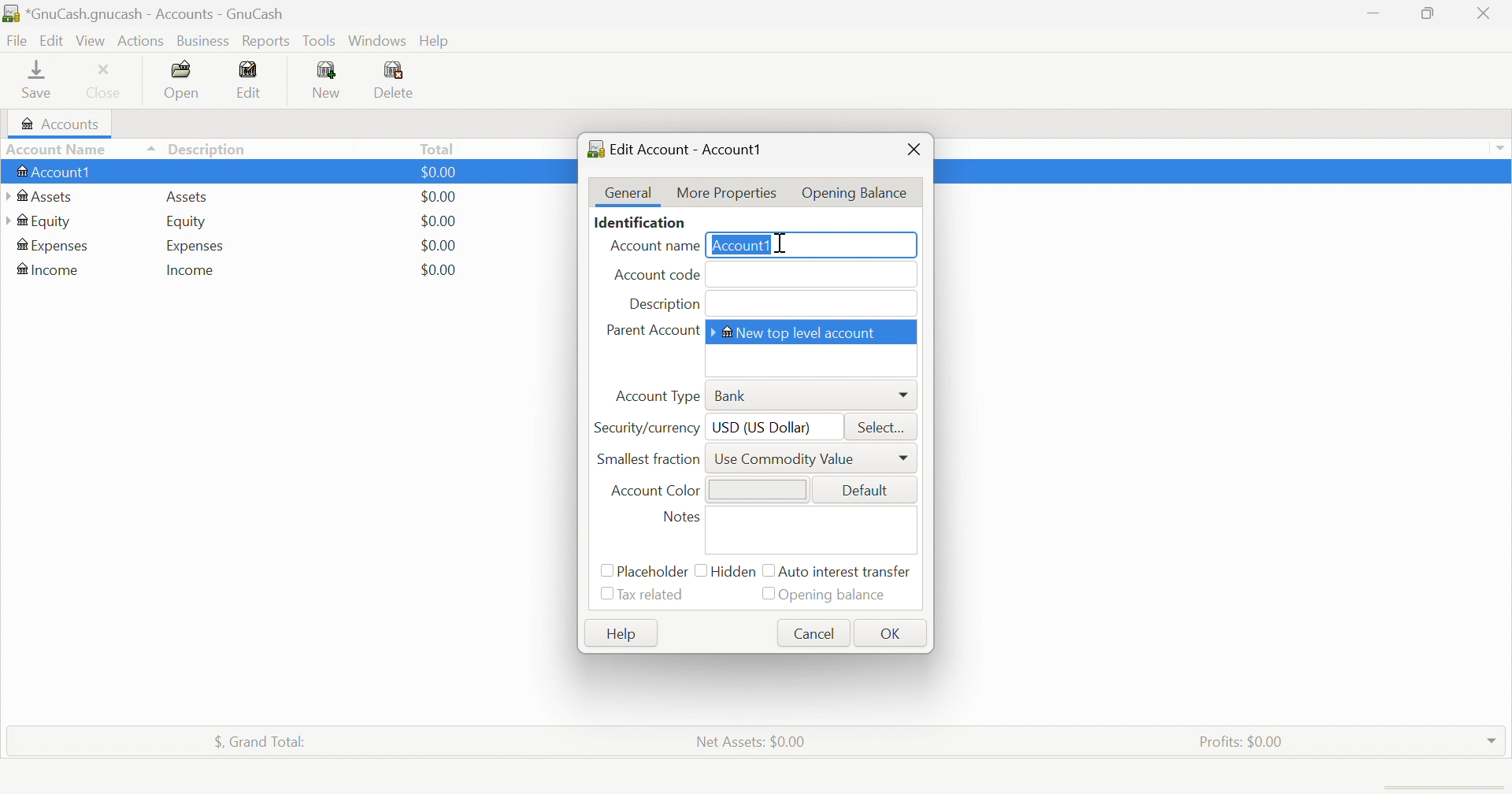  Describe the element at coordinates (181, 78) in the screenshot. I see `Open` at that location.